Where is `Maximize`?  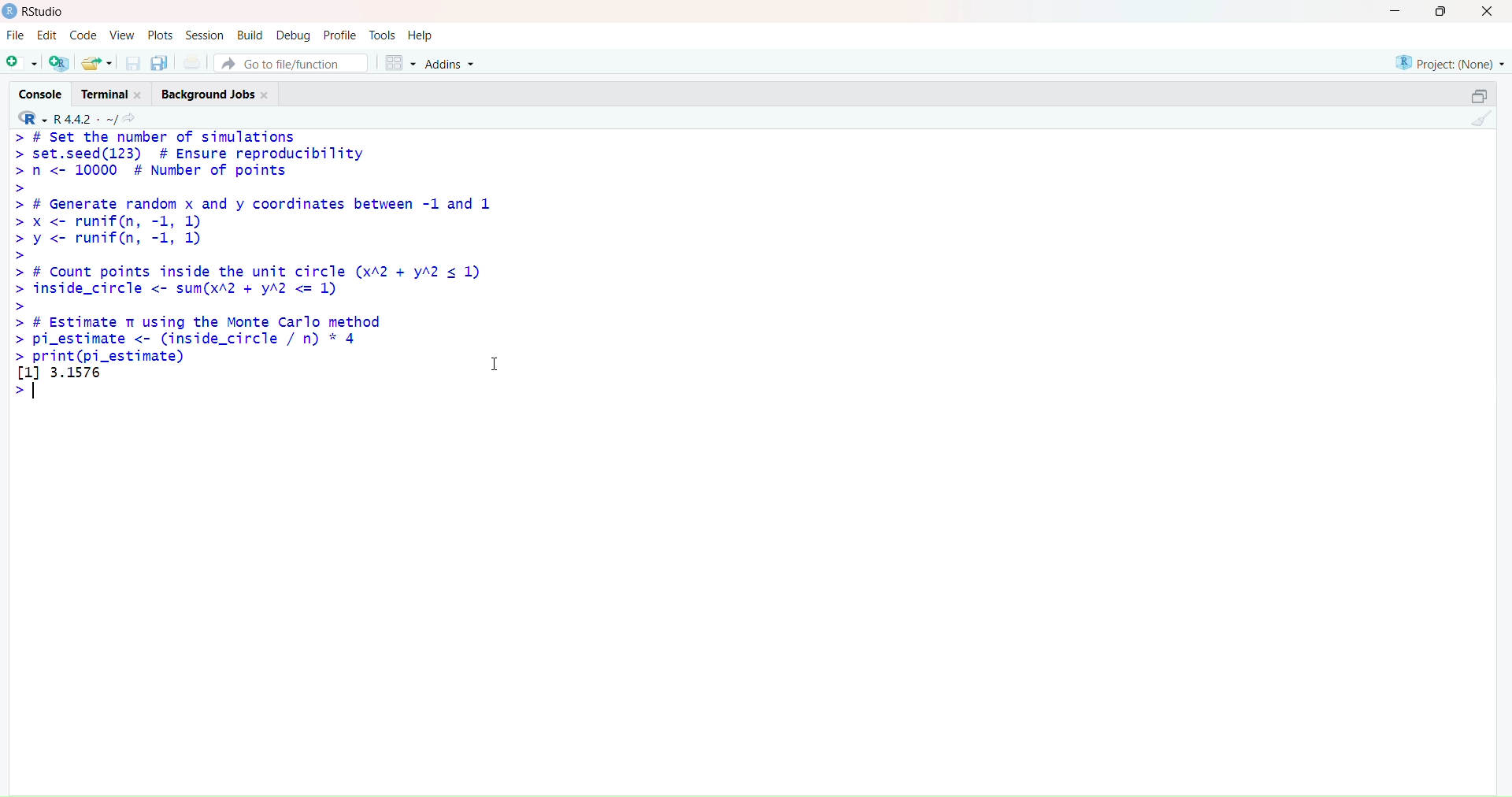 Maximize is located at coordinates (1443, 14).